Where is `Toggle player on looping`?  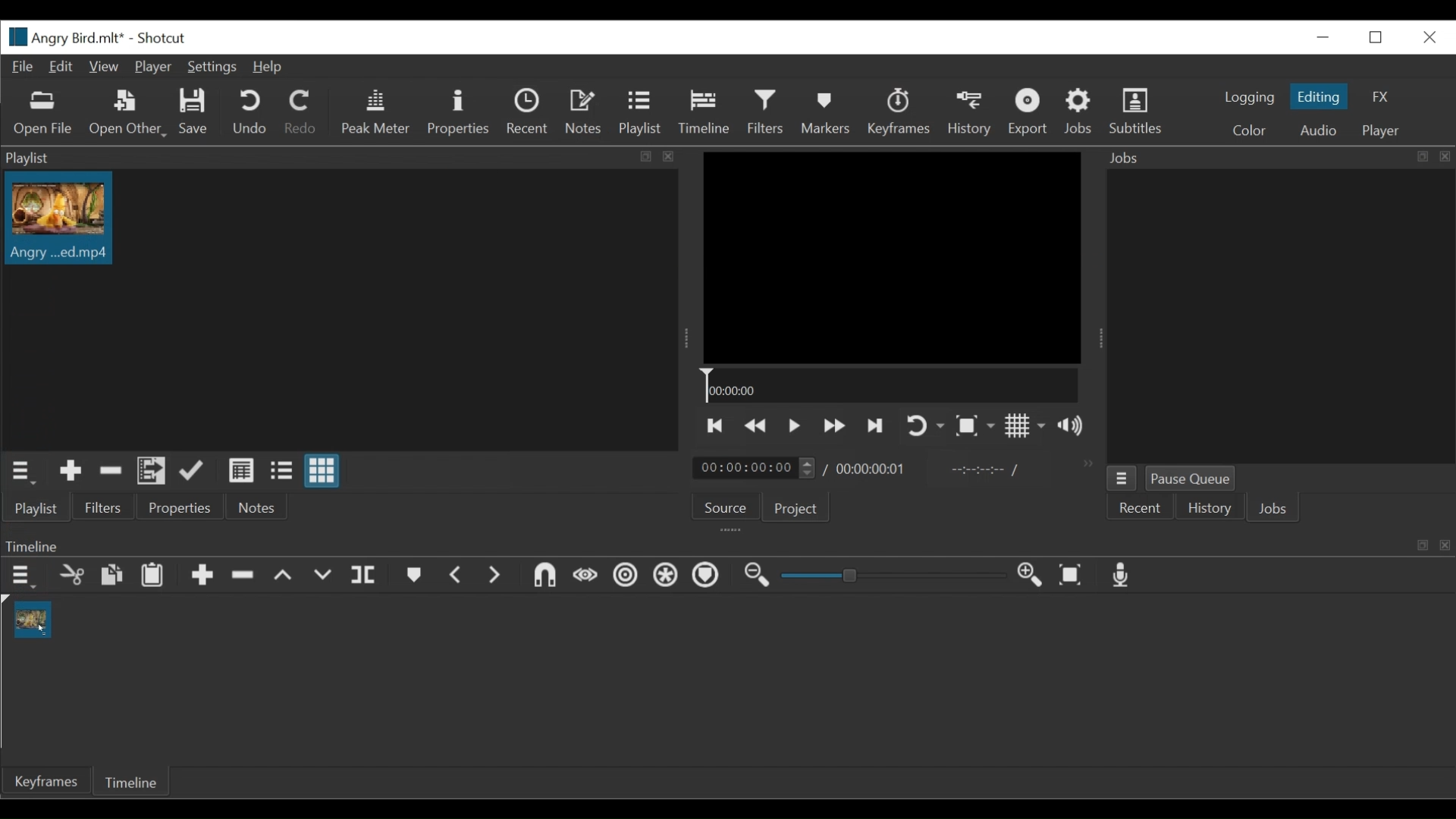 Toggle player on looping is located at coordinates (924, 427).